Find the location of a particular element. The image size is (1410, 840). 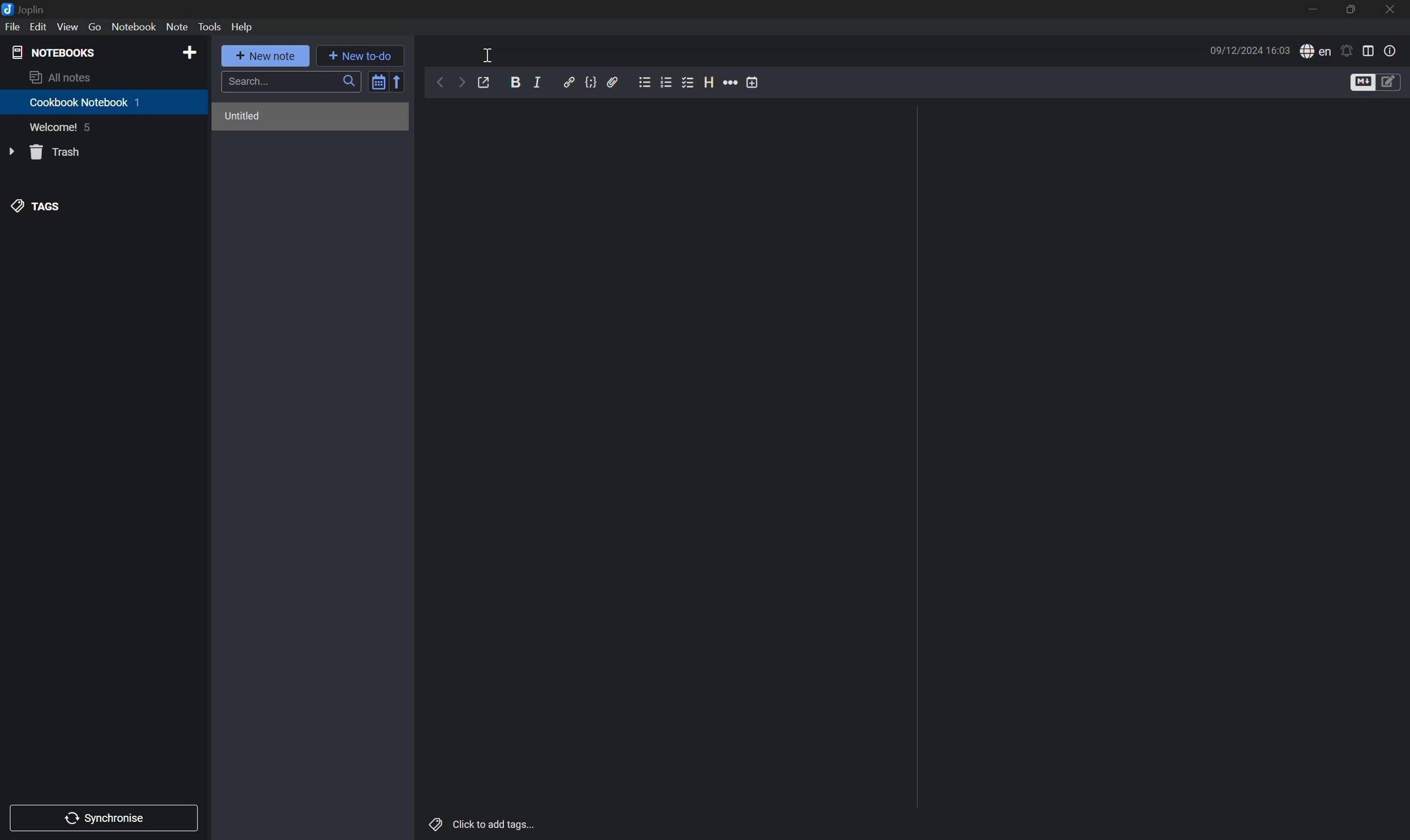

Search is located at coordinates (290, 82).